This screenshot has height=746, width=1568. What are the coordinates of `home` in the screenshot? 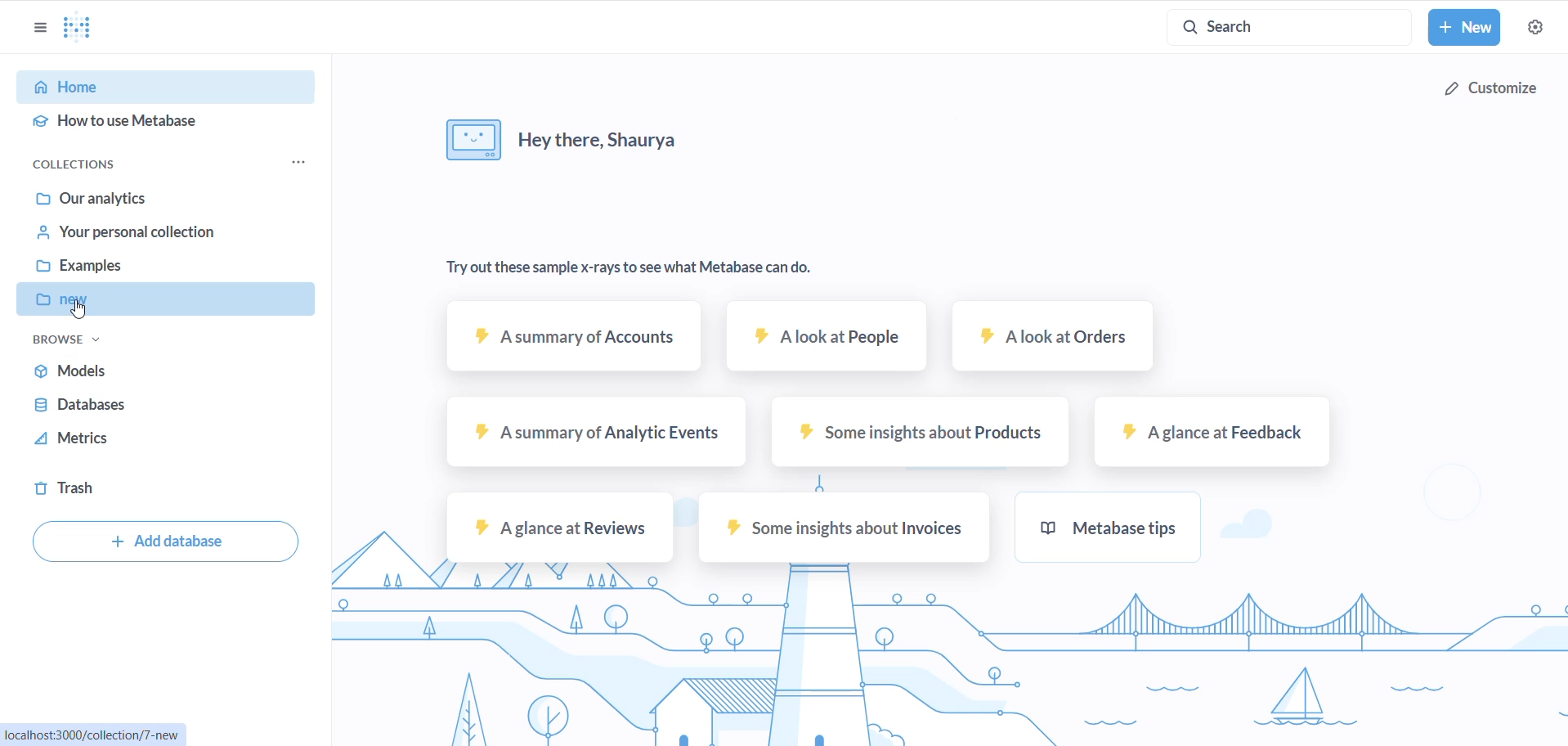 It's located at (159, 88).